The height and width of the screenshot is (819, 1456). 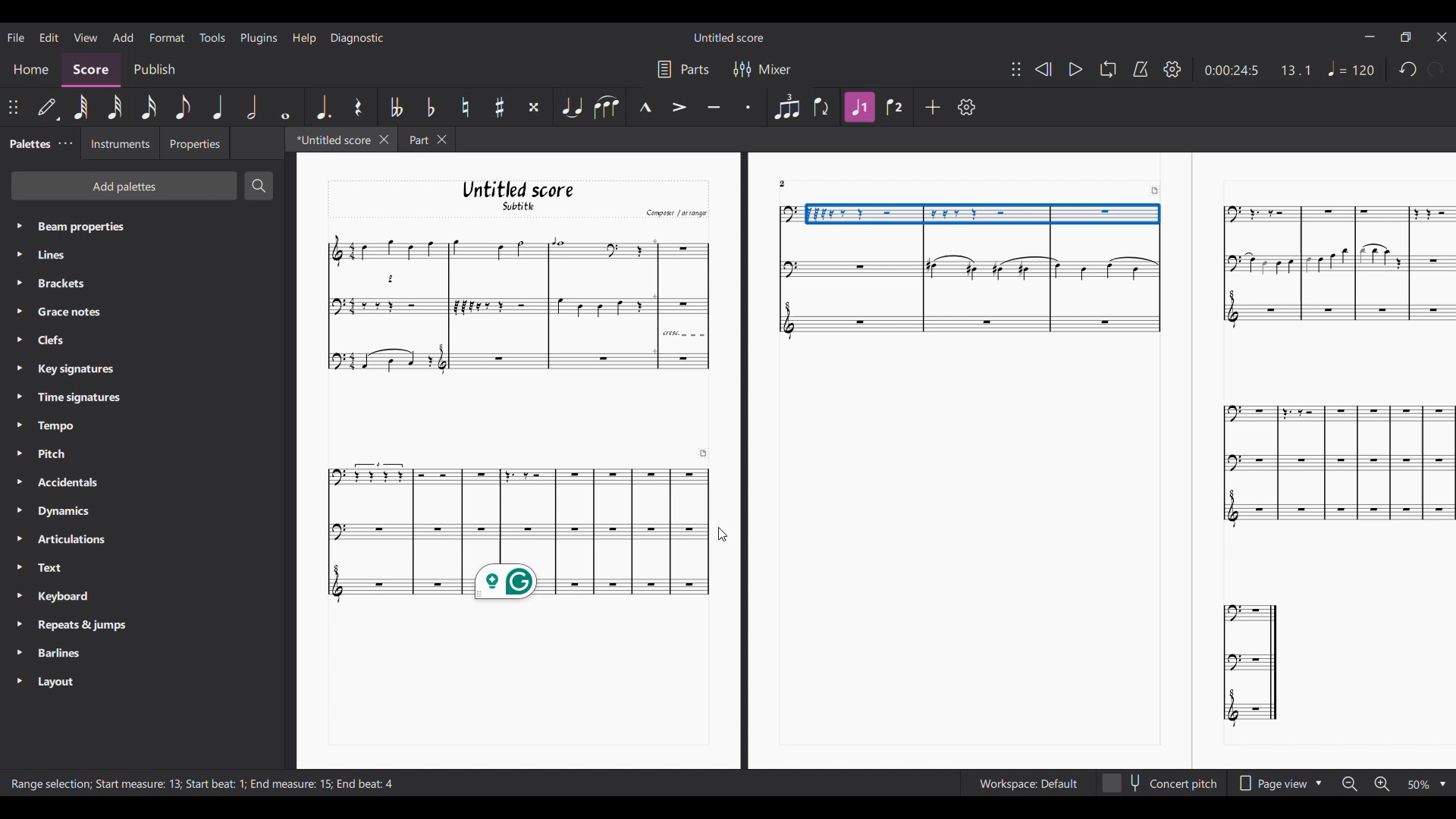 What do you see at coordinates (17, 37) in the screenshot?
I see `File menu` at bounding box center [17, 37].